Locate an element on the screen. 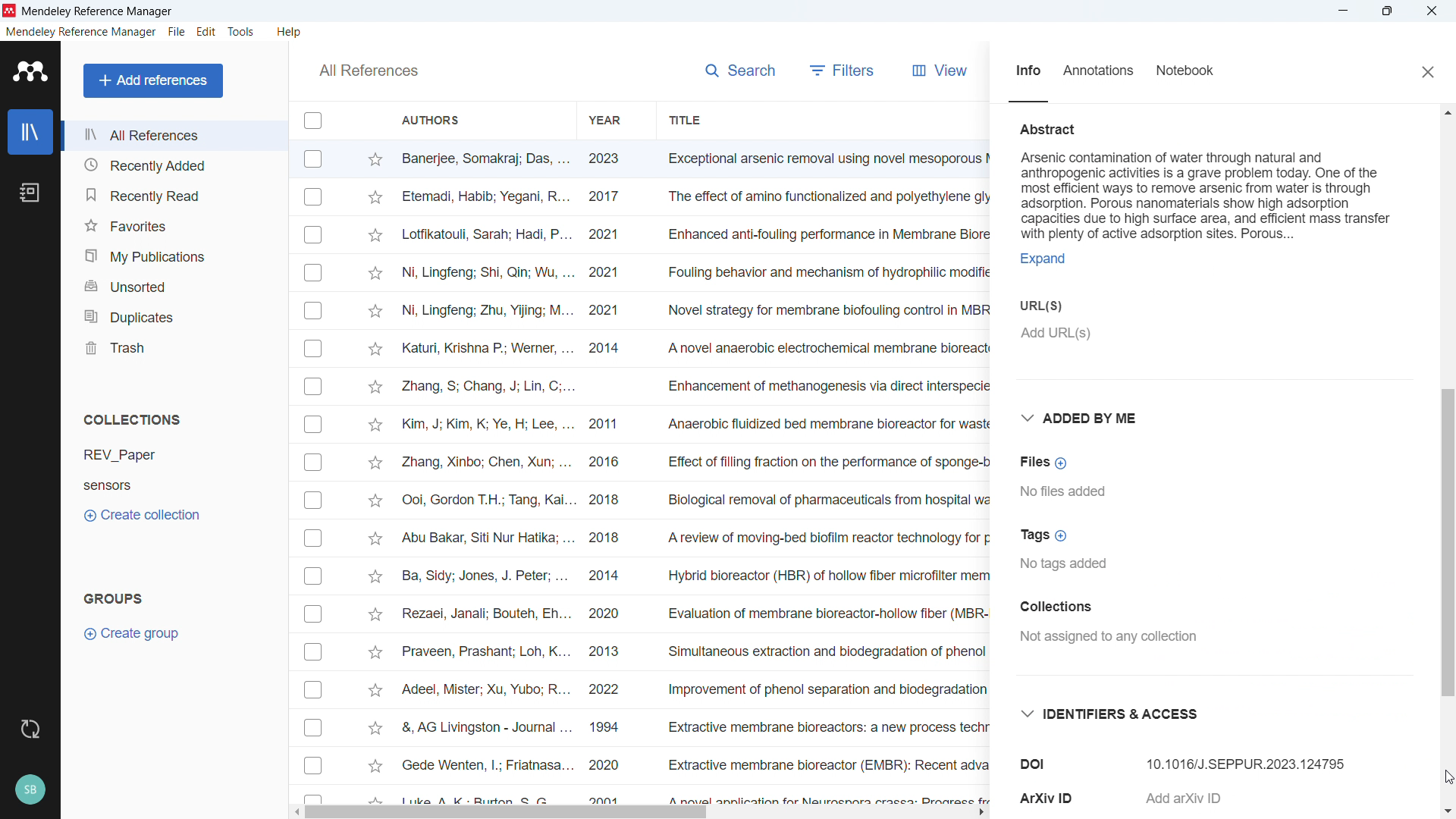  click to starmark individual entries is located at coordinates (376, 312).